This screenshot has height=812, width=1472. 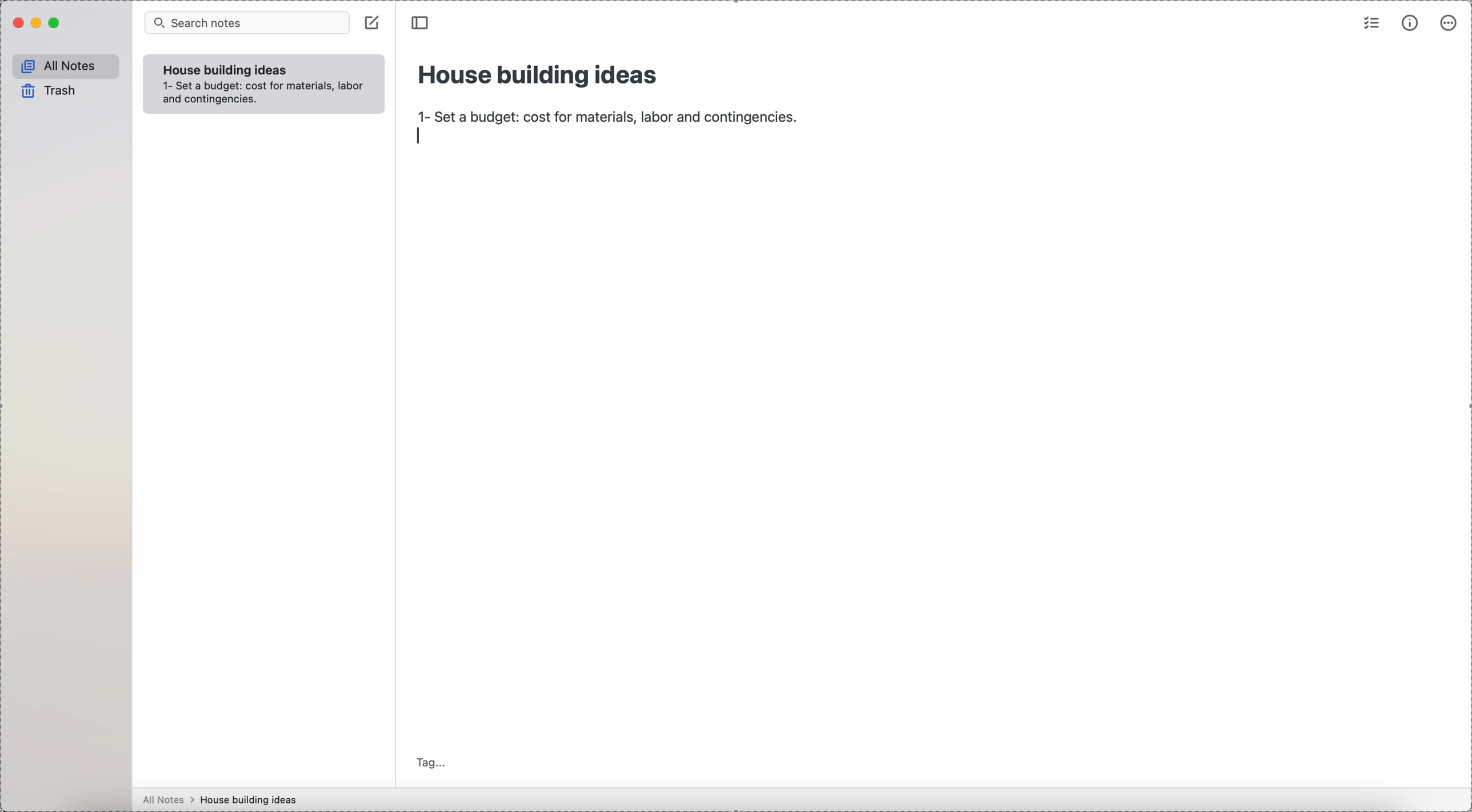 I want to click on 1-set a budget:cost for material,labor and contingencies, so click(x=606, y=113).